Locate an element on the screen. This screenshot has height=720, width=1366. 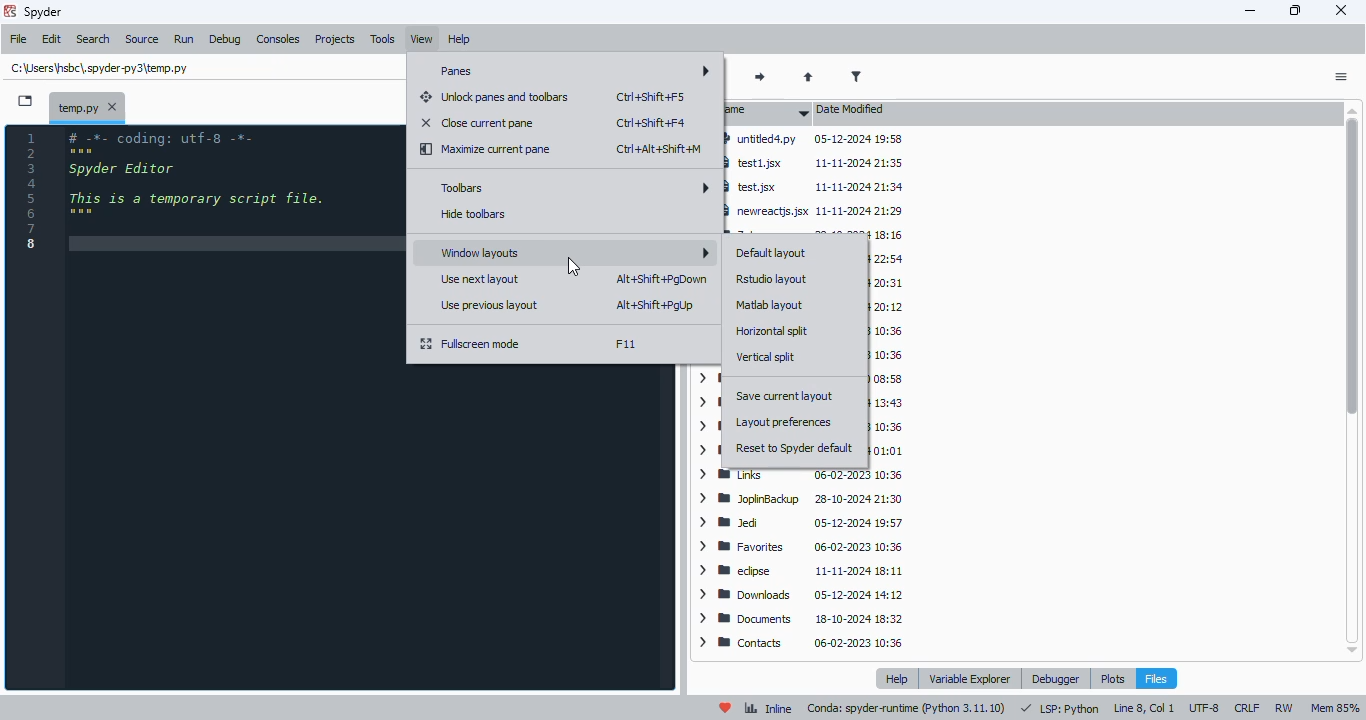
shortcut for fullscreen mode is located at coordinates (626, 344).